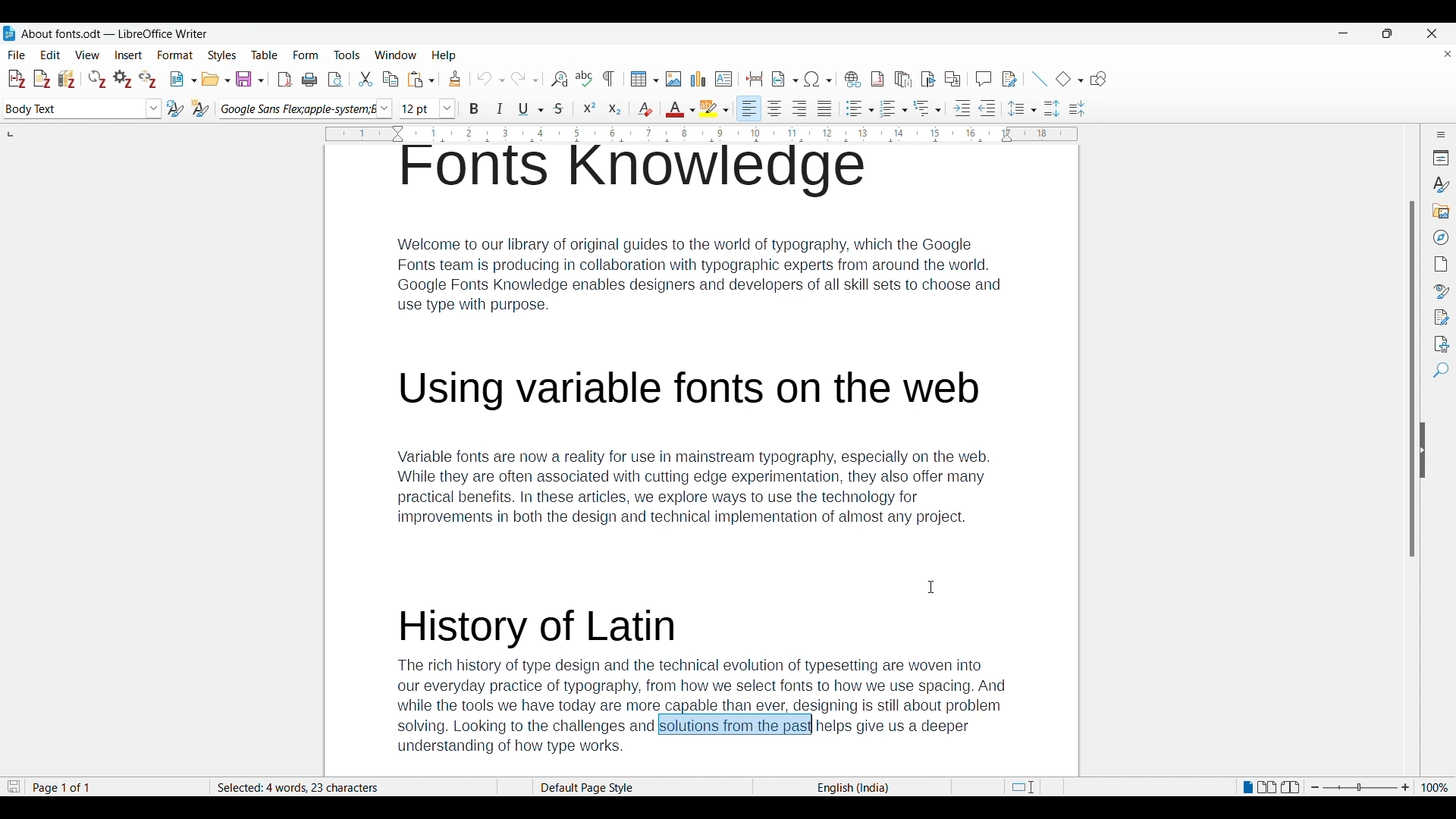 The image size is (1456, 819). Describe the element at coordinates (1440, 371) in the screenshot. I see `Find` at that location.